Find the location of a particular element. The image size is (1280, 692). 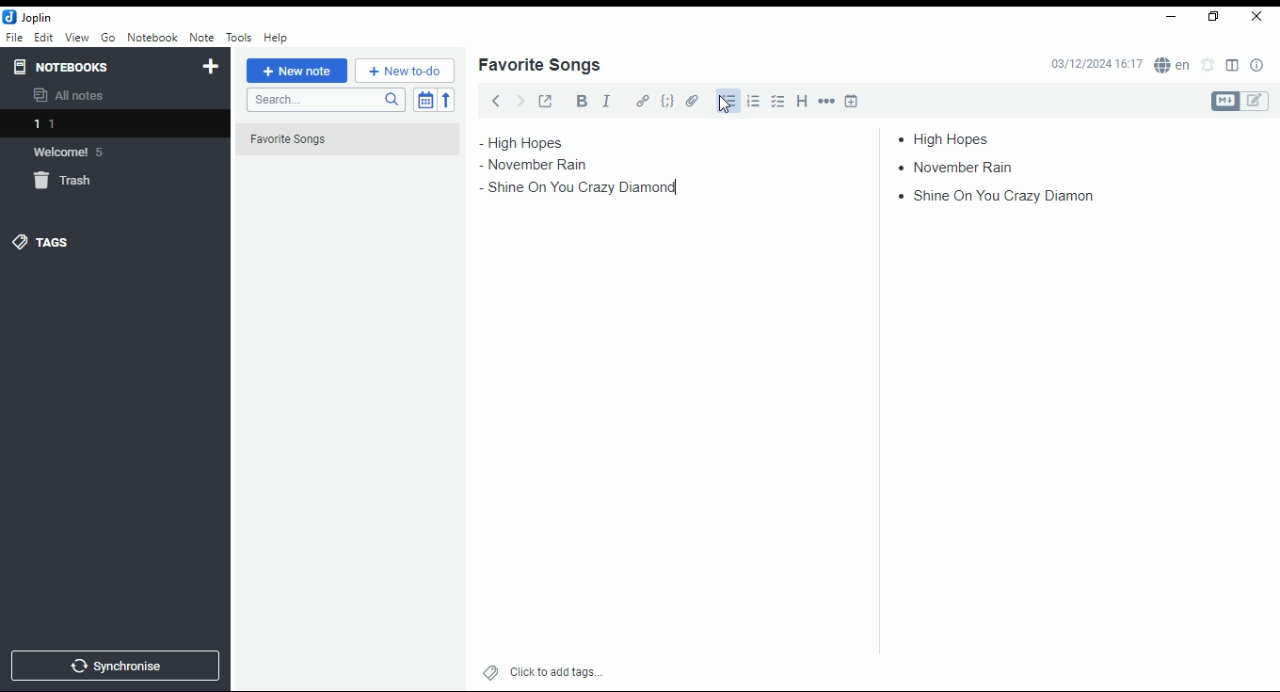

italics is located at coordinates (606, 100).